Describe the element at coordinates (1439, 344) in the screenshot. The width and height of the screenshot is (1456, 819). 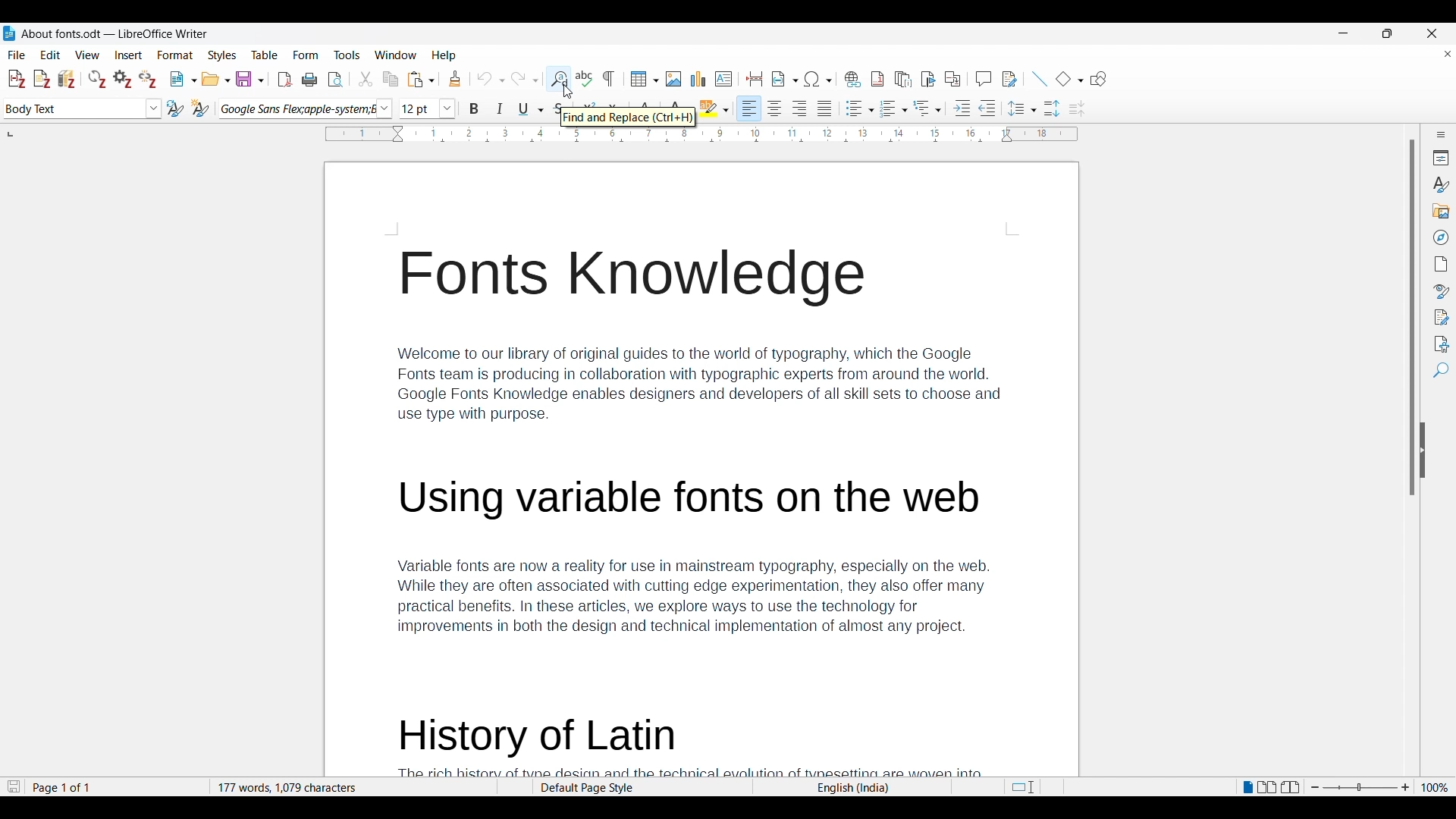
I see `Accessibility check` at that location.